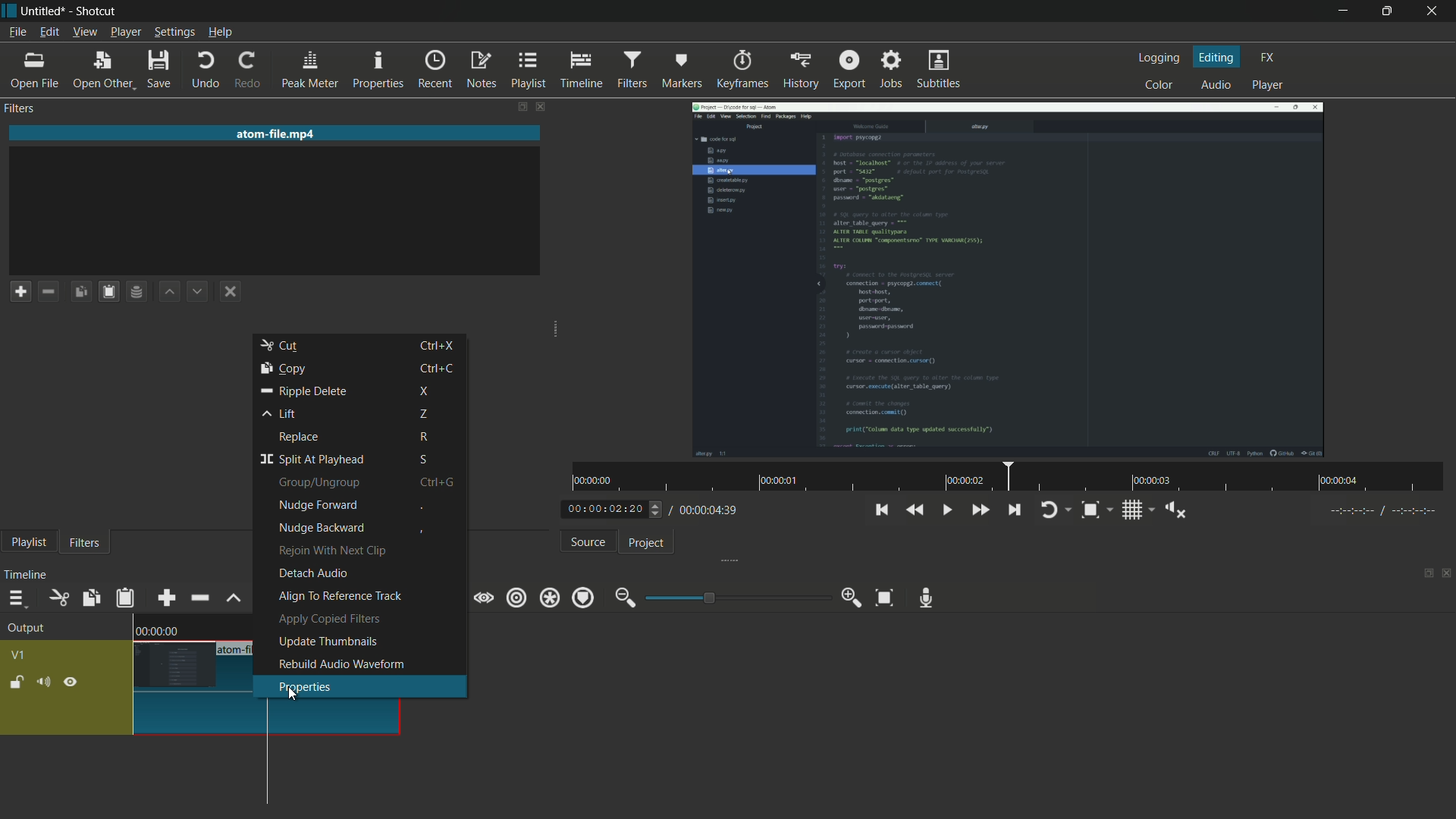  Describe the element at coordinates (321, 528) in the screenshot. I see `nudge background` at that location.